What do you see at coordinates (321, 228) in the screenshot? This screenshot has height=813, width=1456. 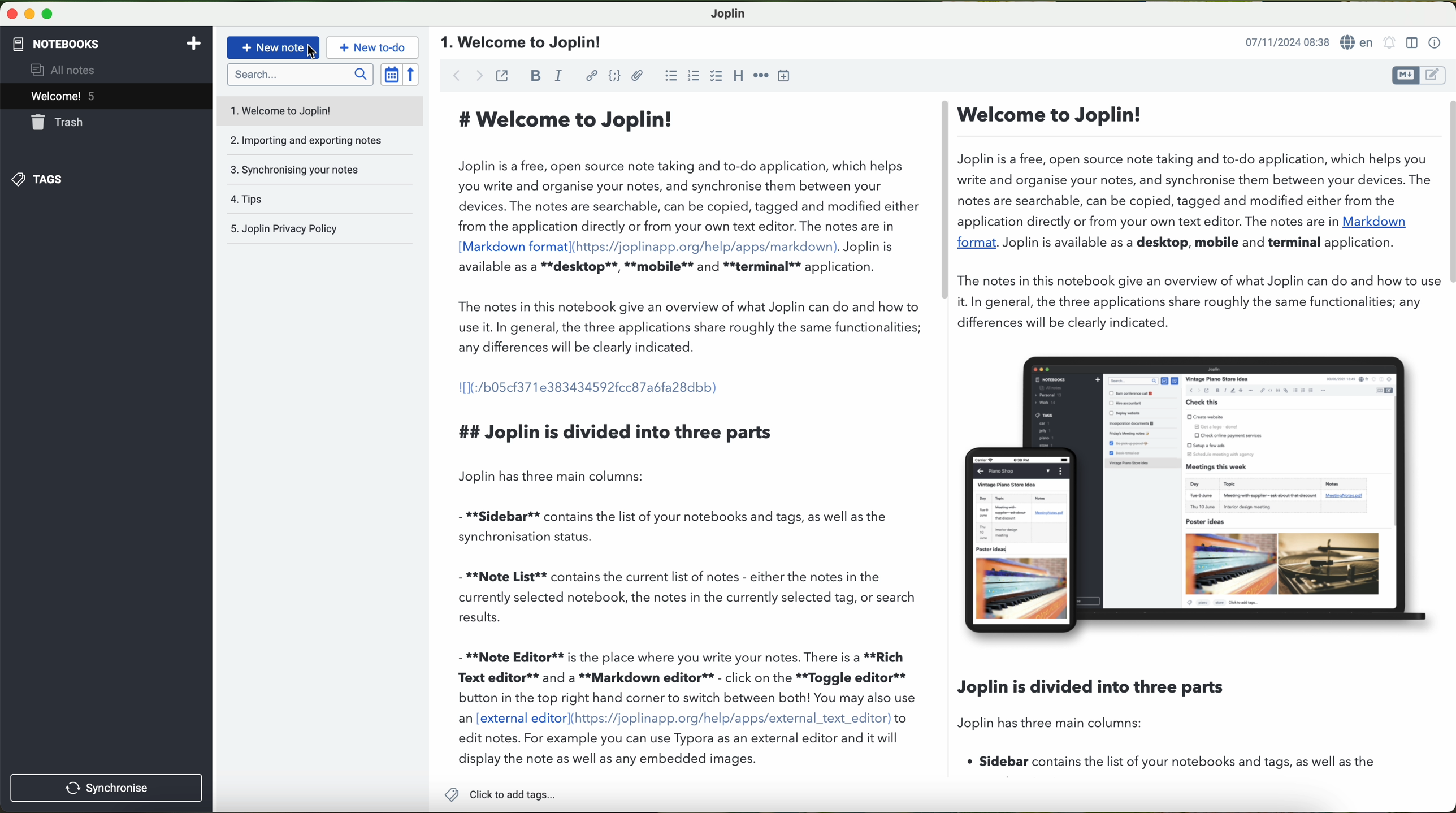 I see `Joplin privacy policy` at bounding box center [321, 228].